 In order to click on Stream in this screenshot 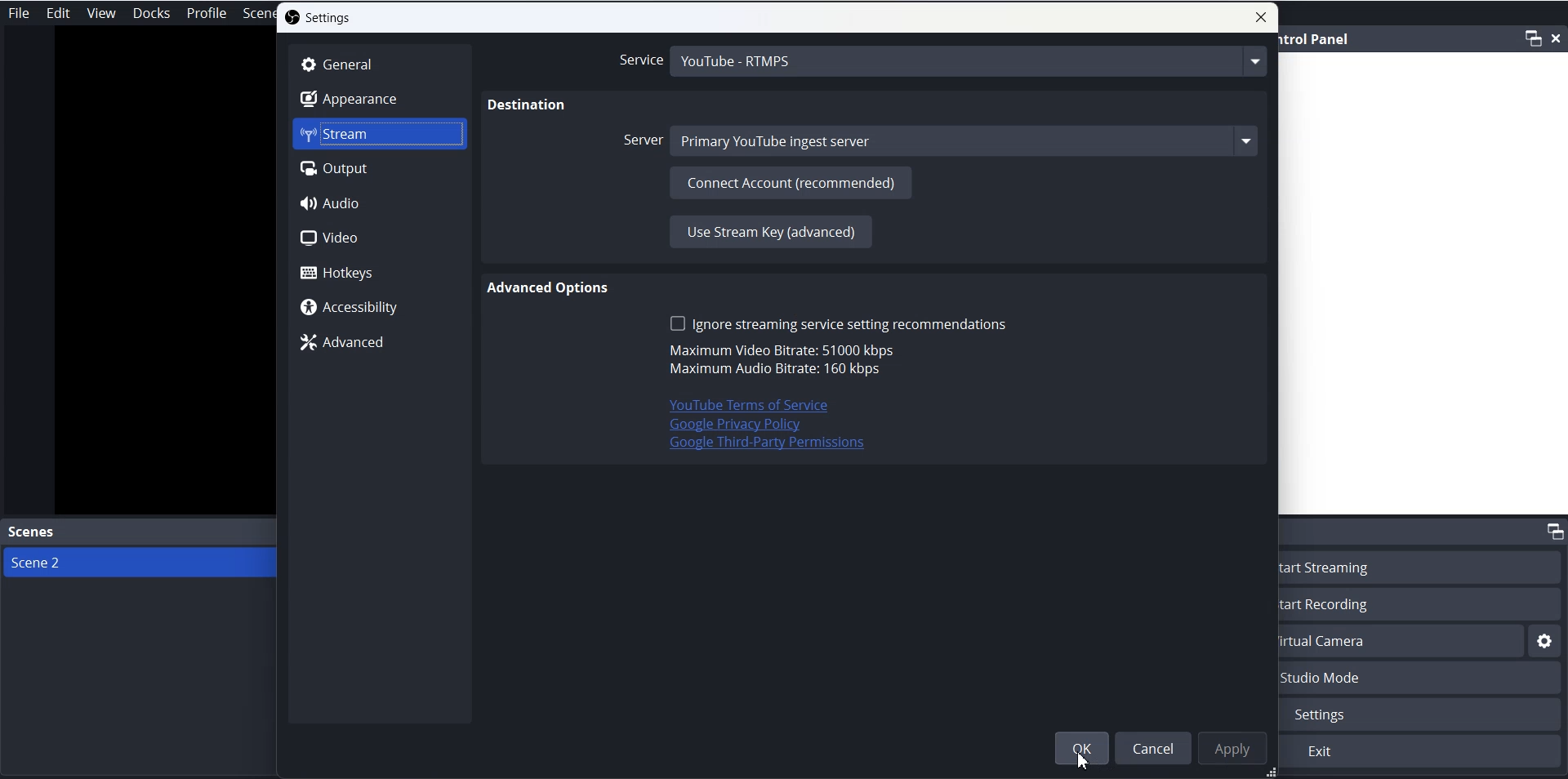, I will do `click(380, 134)`.